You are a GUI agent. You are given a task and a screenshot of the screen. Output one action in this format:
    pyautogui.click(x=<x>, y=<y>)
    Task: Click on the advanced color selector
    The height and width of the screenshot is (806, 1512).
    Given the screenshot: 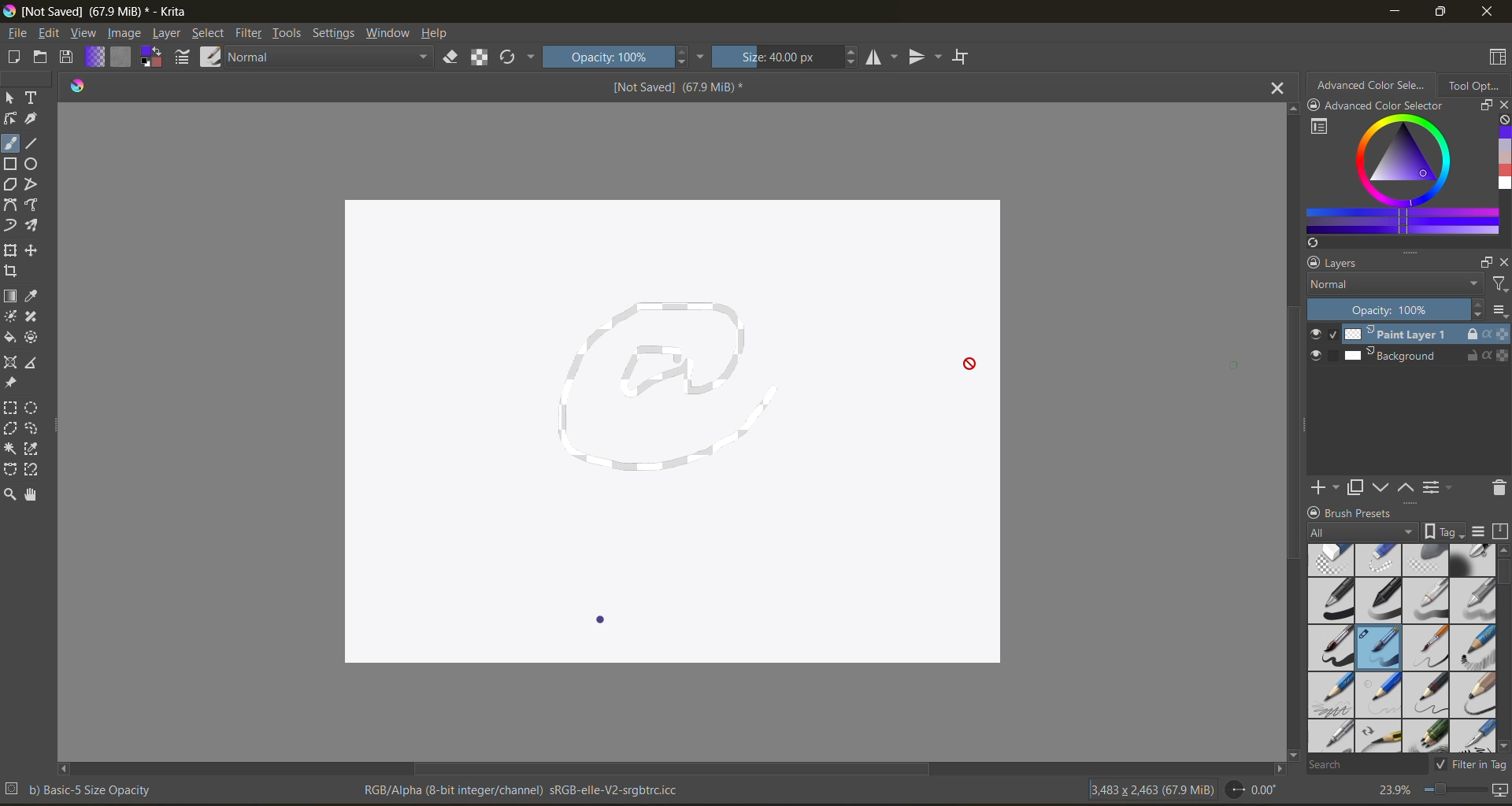 What is the action you would take?
    pyautogui.click(x=1373, y=85)
    